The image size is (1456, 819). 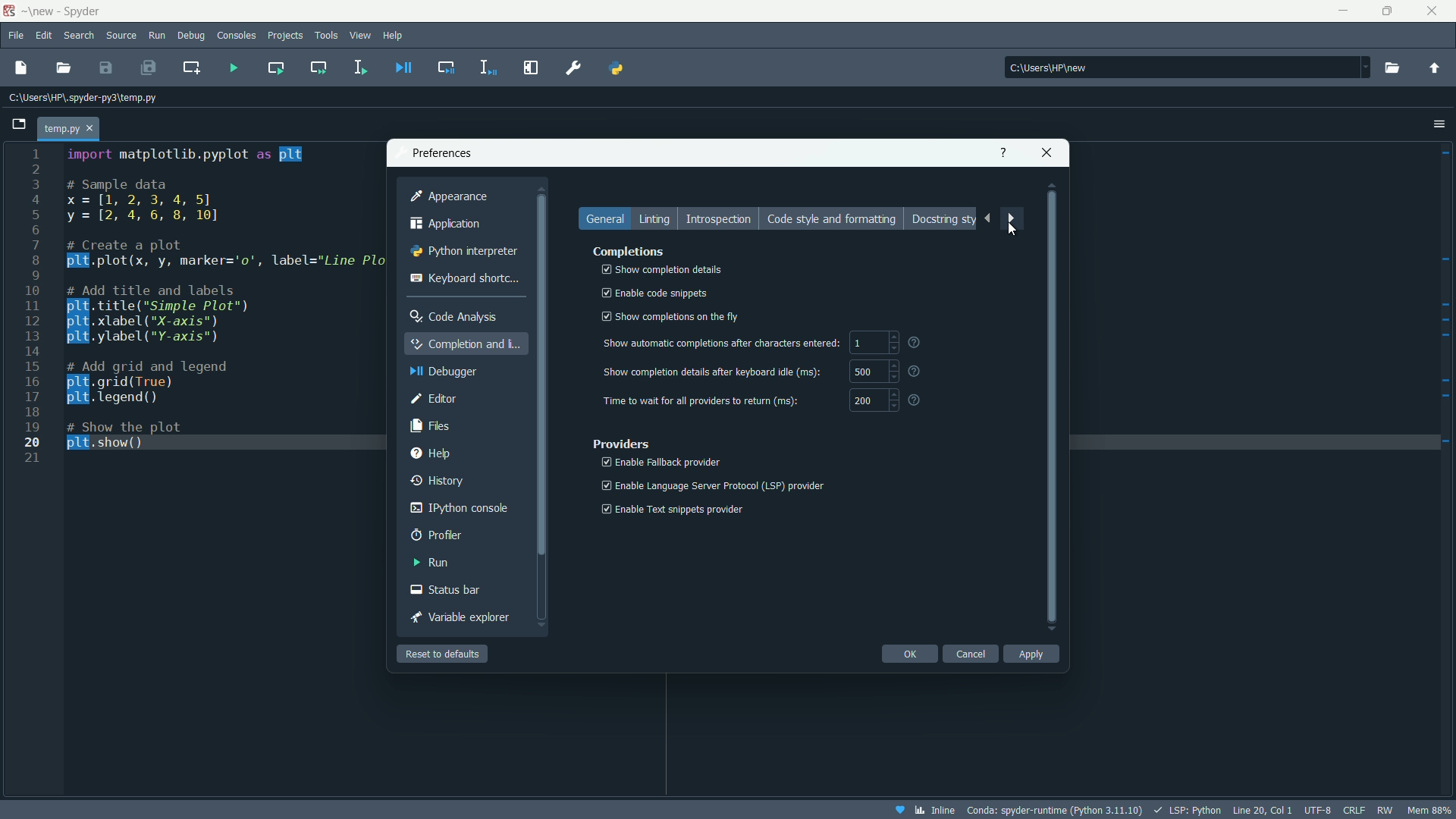 I want to click on question mark, so click(x=917, y=400).